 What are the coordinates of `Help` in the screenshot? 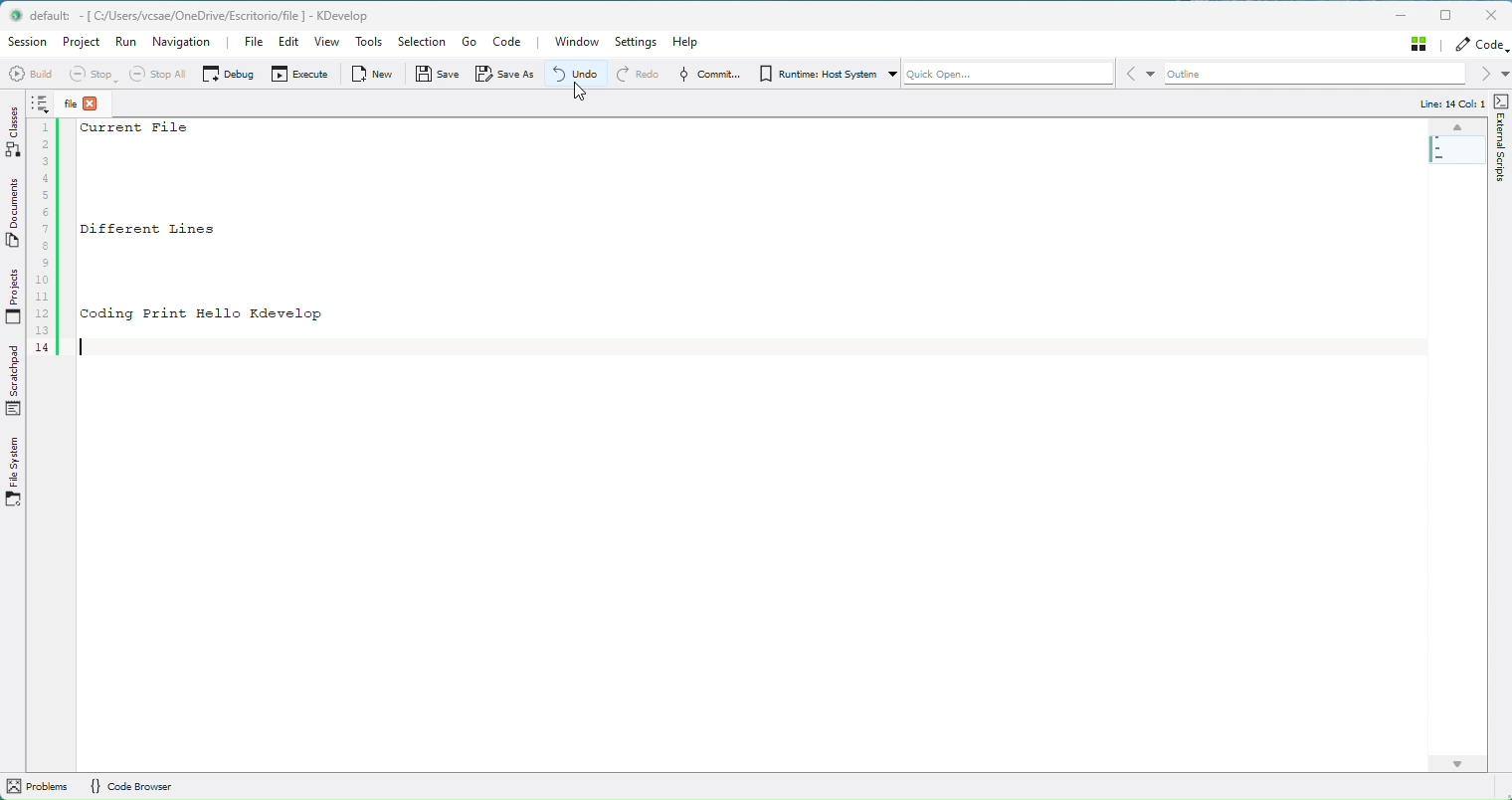 It's located at (684, 42).